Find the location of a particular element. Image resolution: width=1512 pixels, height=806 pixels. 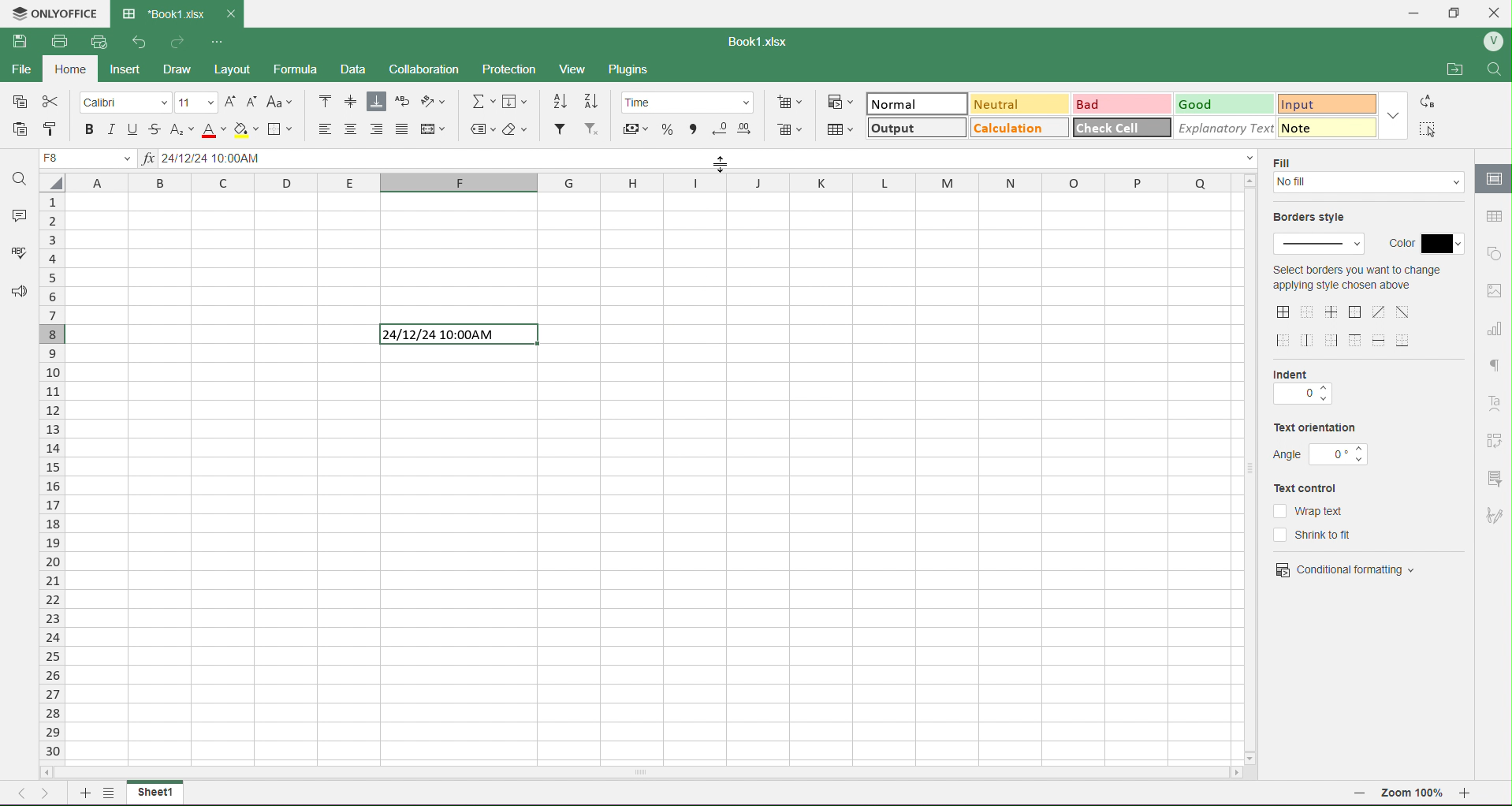

Formula Bar is located at coordinates (701, 160).